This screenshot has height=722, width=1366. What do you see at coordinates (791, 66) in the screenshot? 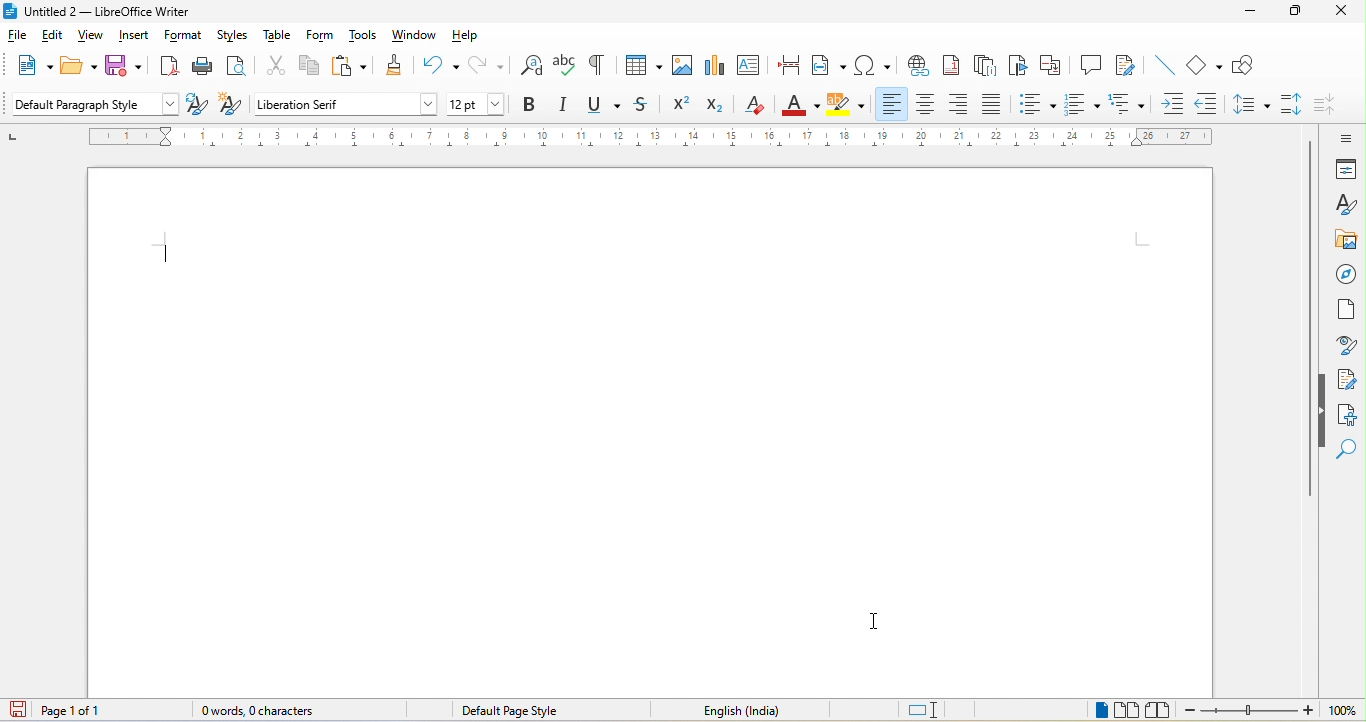
I see `page break` at bounding box center [791, 66].